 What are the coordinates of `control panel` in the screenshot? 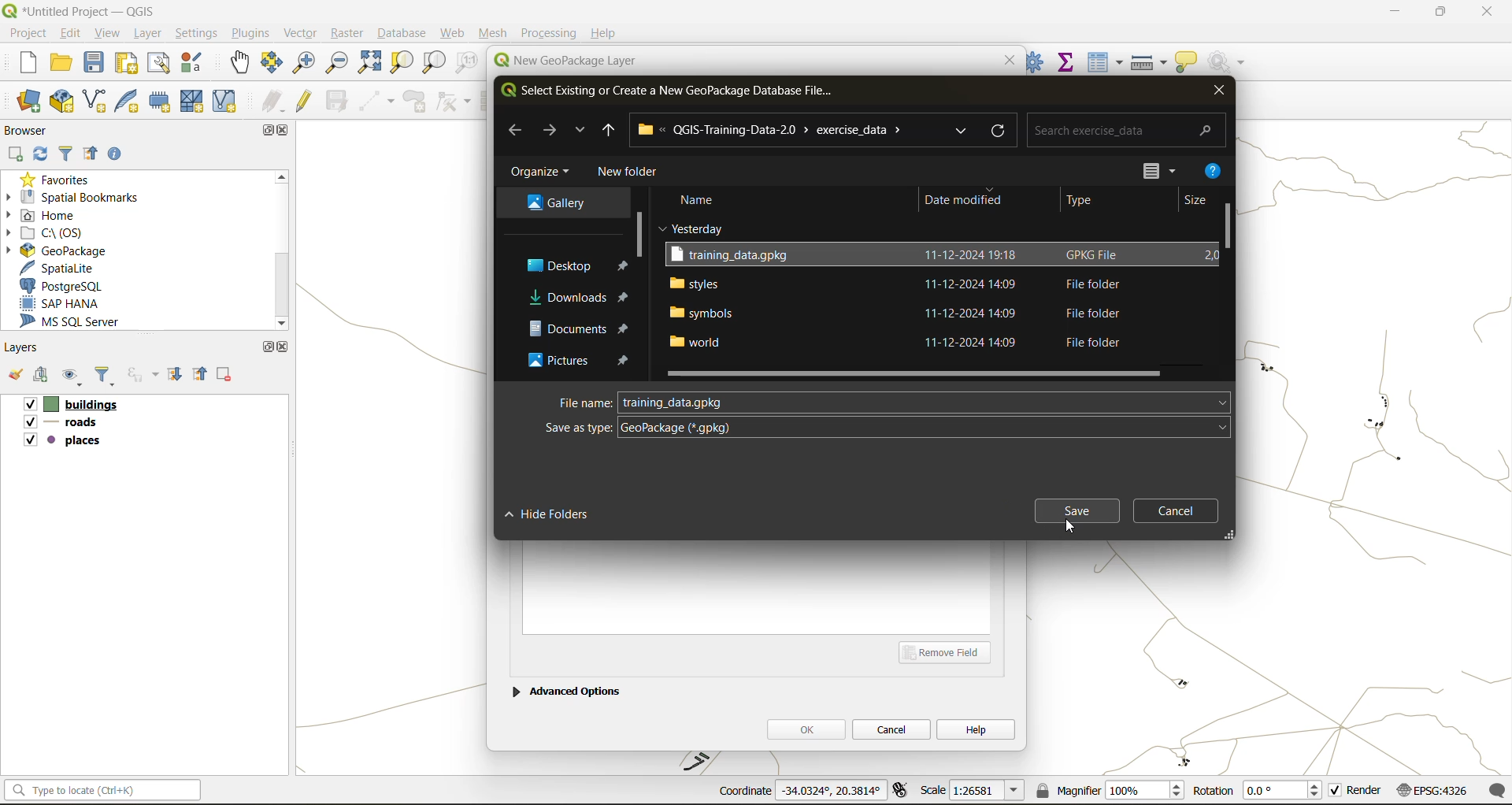 It's located at (1036, 61).